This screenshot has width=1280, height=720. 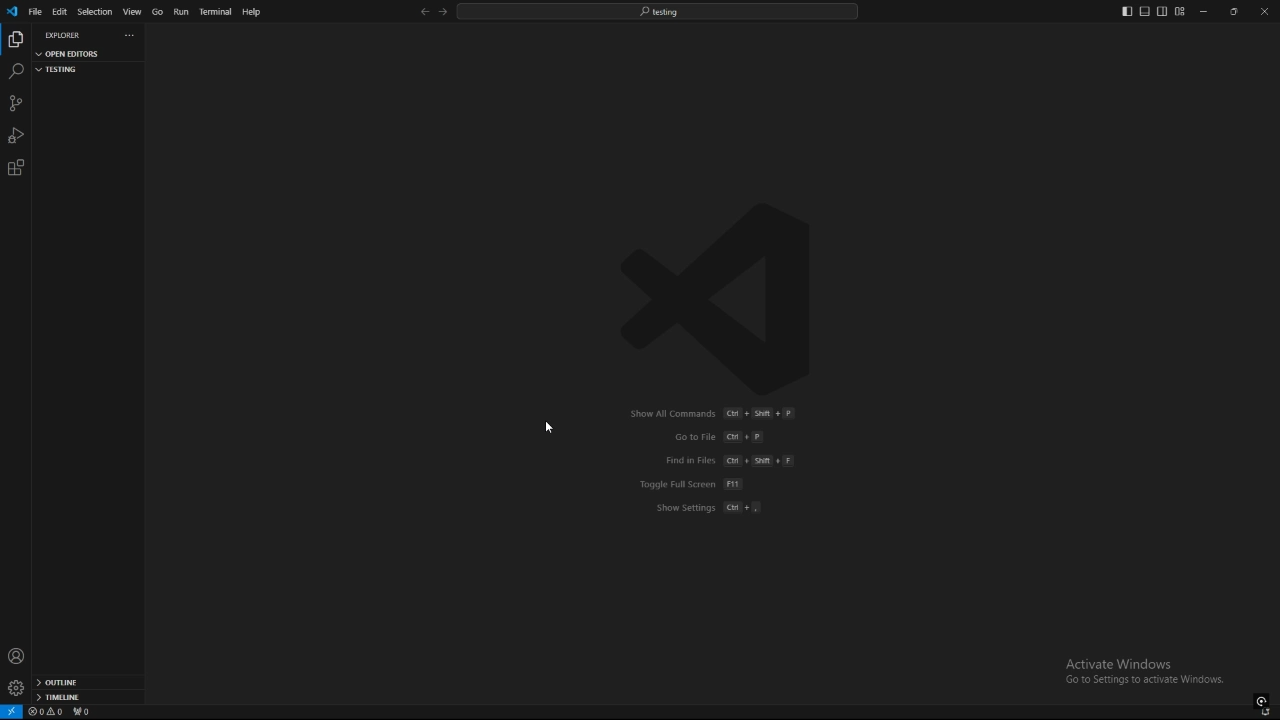 I want to click on selection, so click(x=94, y=12).